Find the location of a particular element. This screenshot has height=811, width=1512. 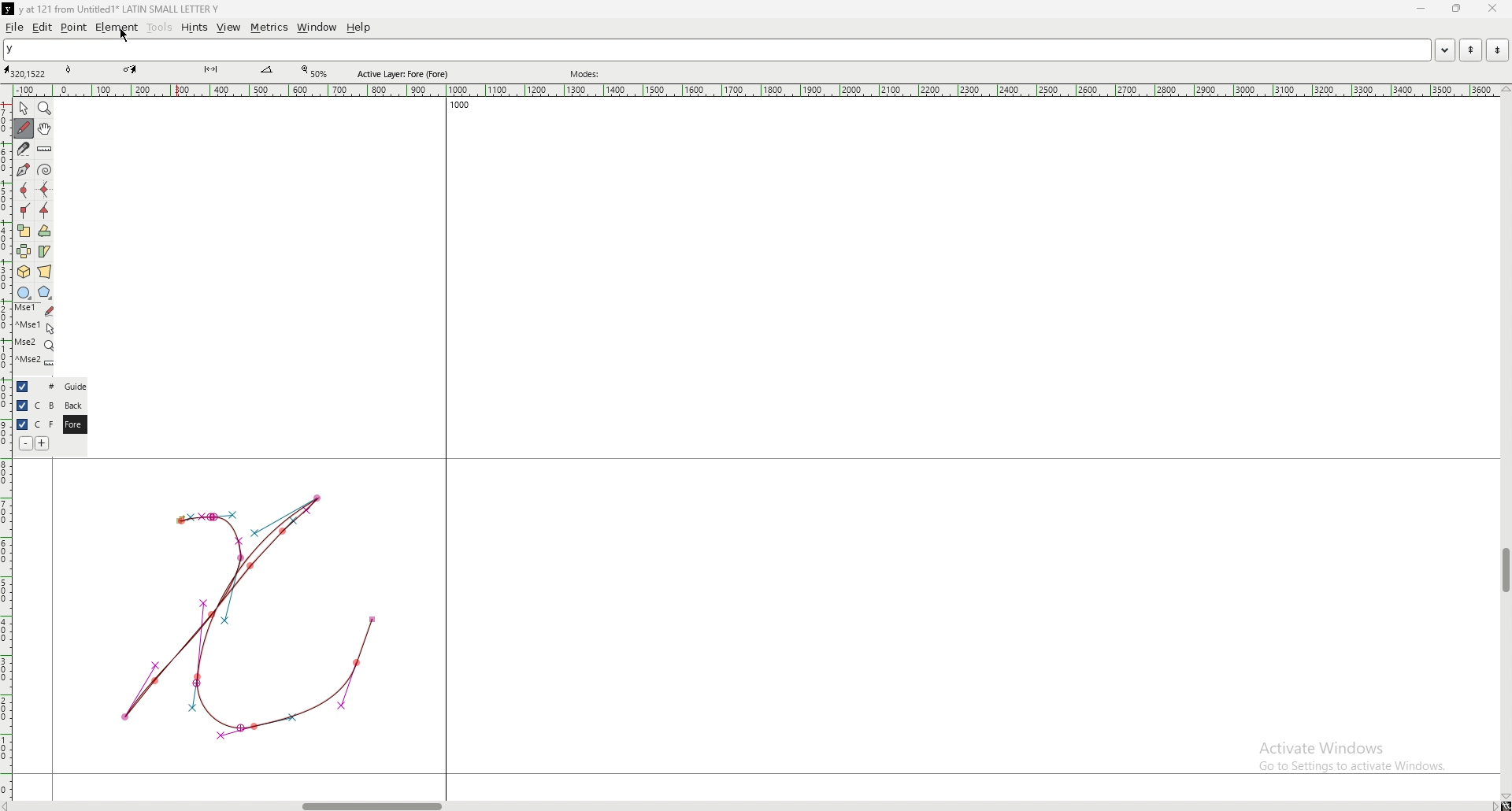

previous word is located at coordinates (1469, 50).